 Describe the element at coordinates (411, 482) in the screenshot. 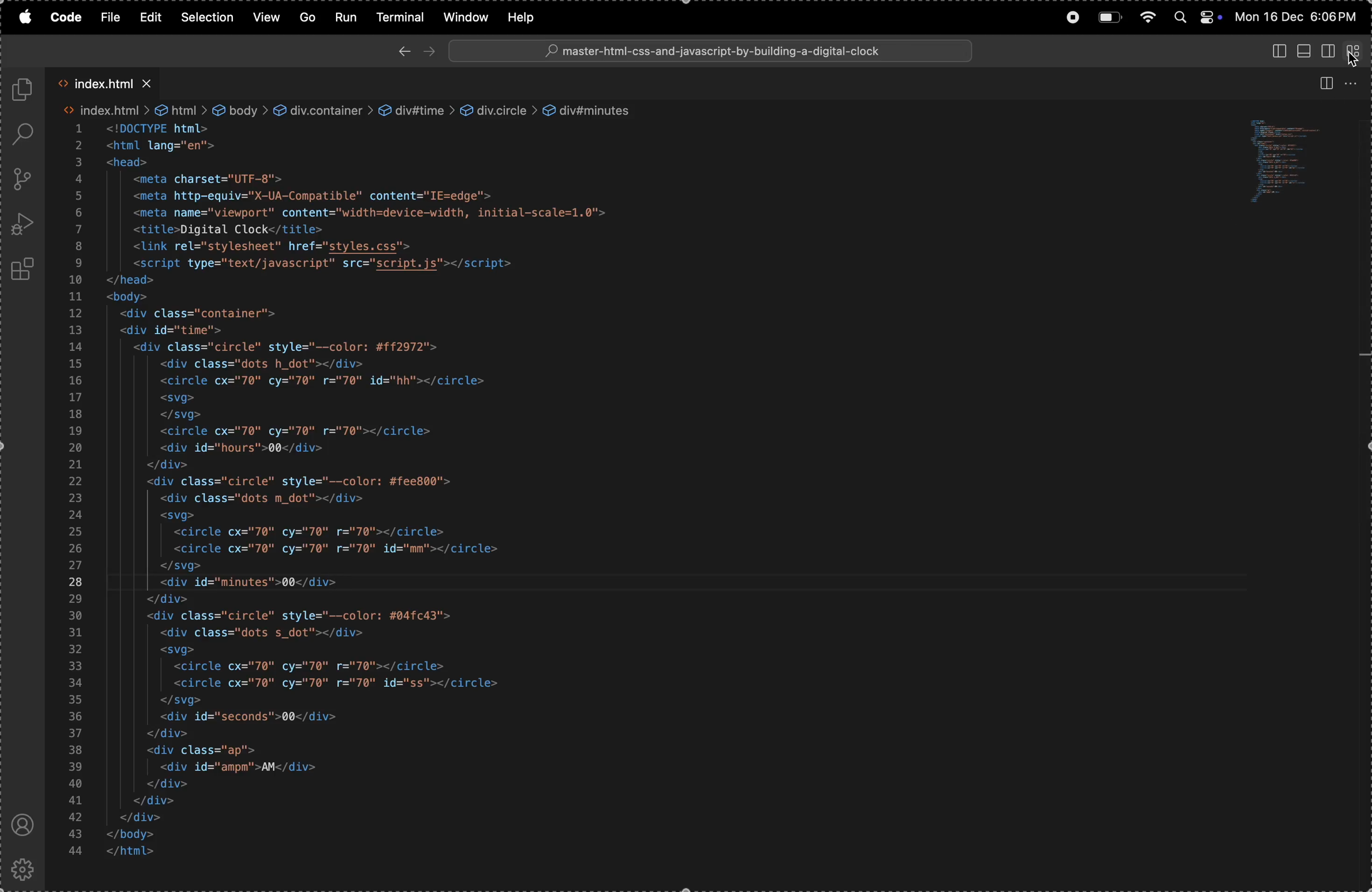

I see `code block for web page using html` at that location.